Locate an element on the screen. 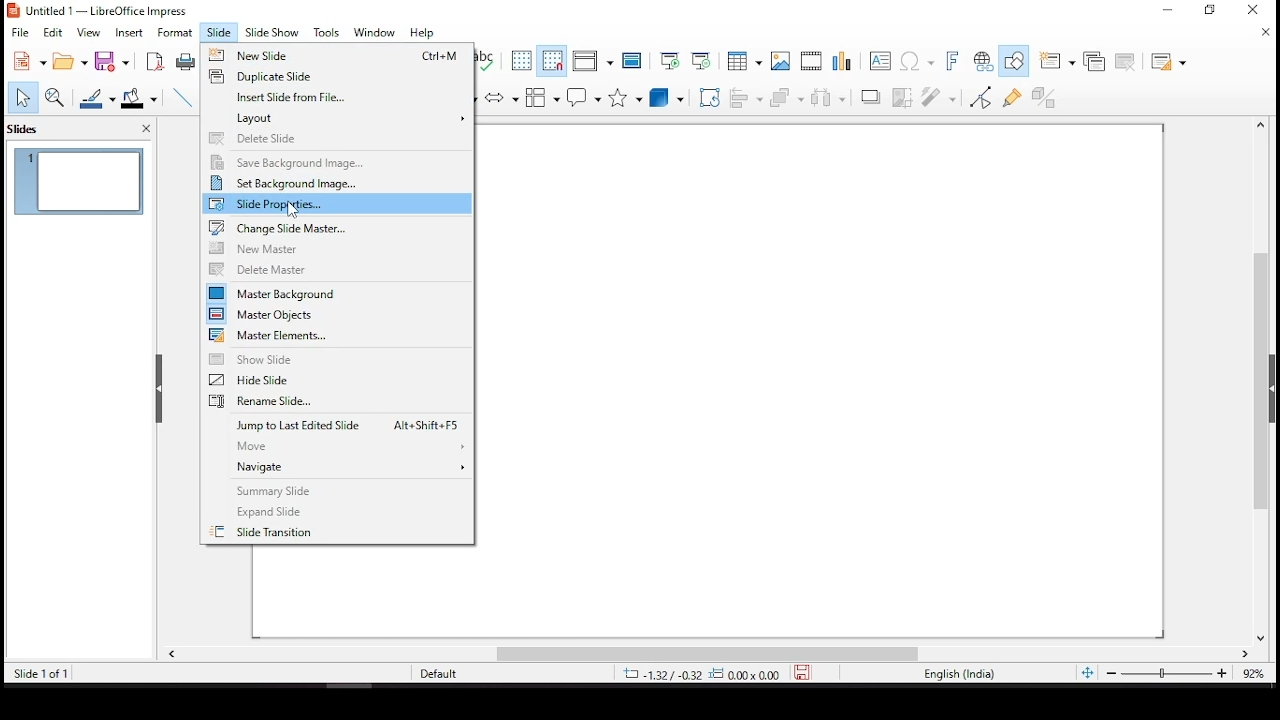 The image size is (1280, 720). scroll bar is located at coordinates (1268, 380).